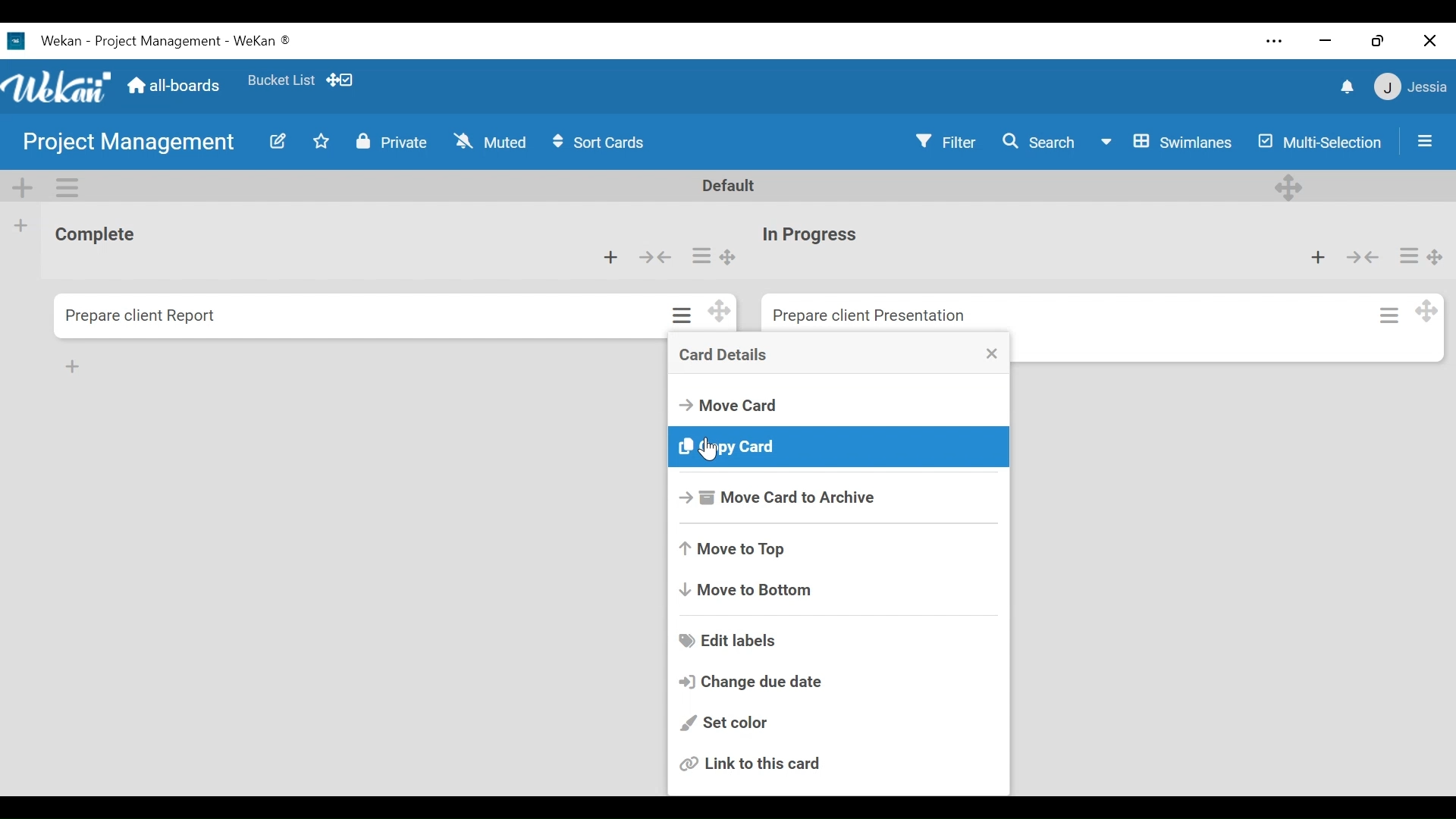  What do you see at coordinates (654, 257) in the screenshot?
I see `Collapse` at bounding box center [654, 257].